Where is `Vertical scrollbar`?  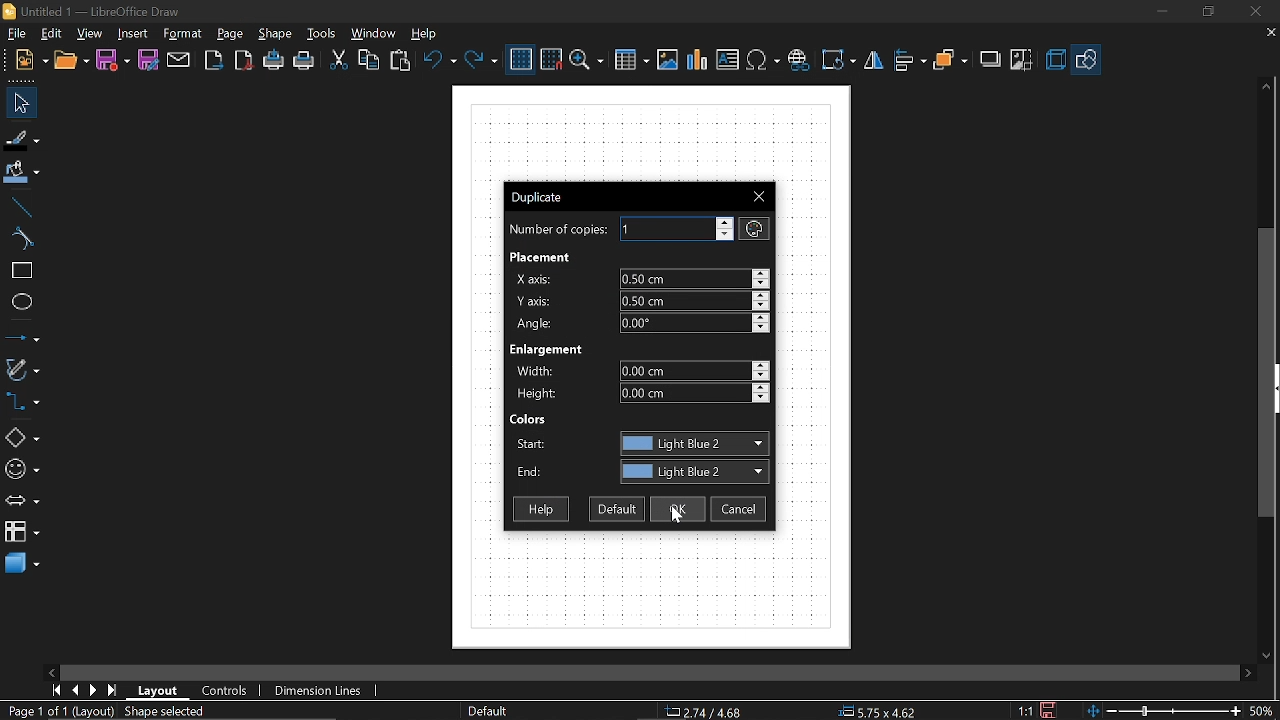 Vertical scrollbar is located at coordinates (1267, 372).